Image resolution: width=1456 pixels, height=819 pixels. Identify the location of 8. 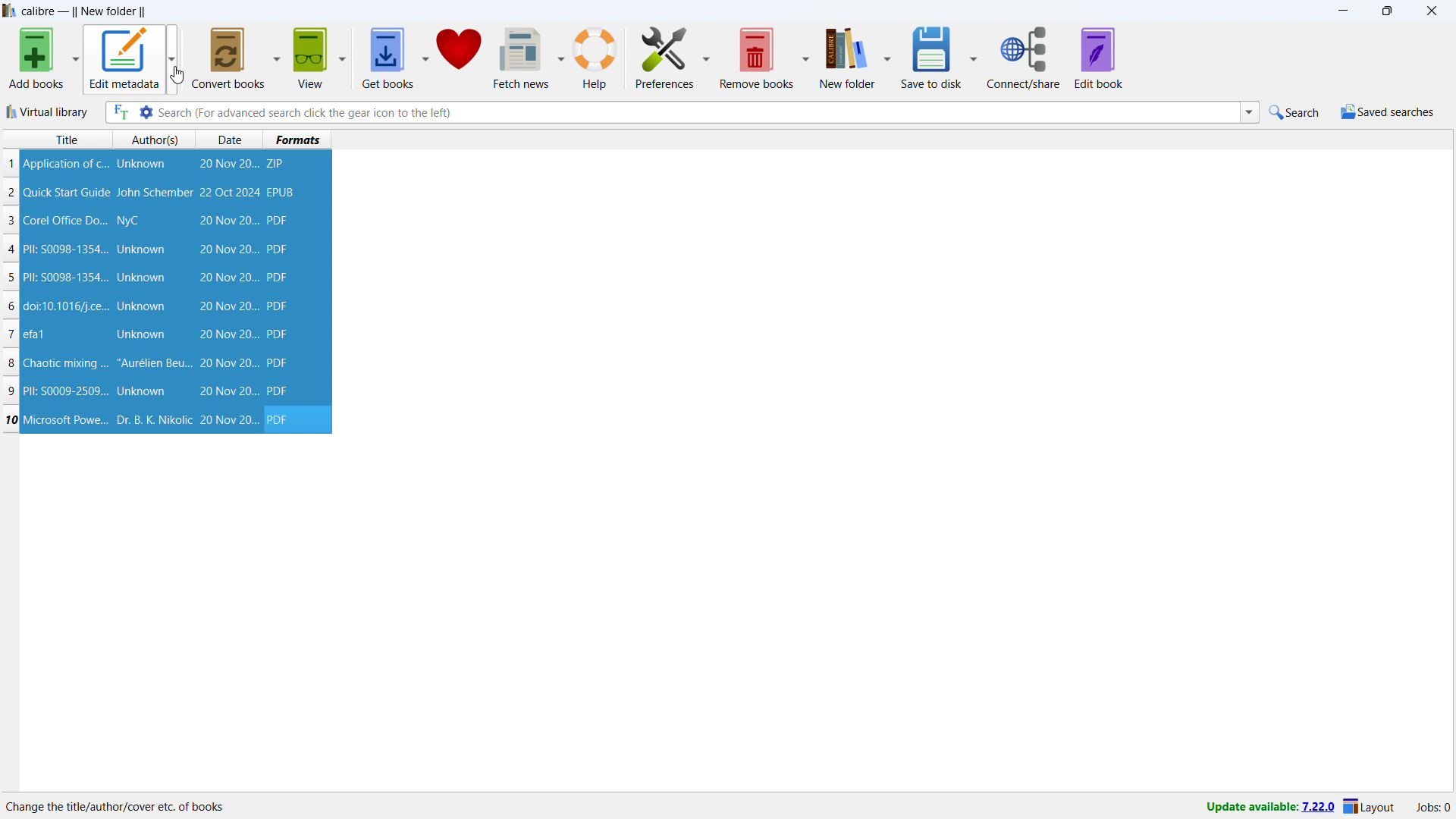
(11, 363).